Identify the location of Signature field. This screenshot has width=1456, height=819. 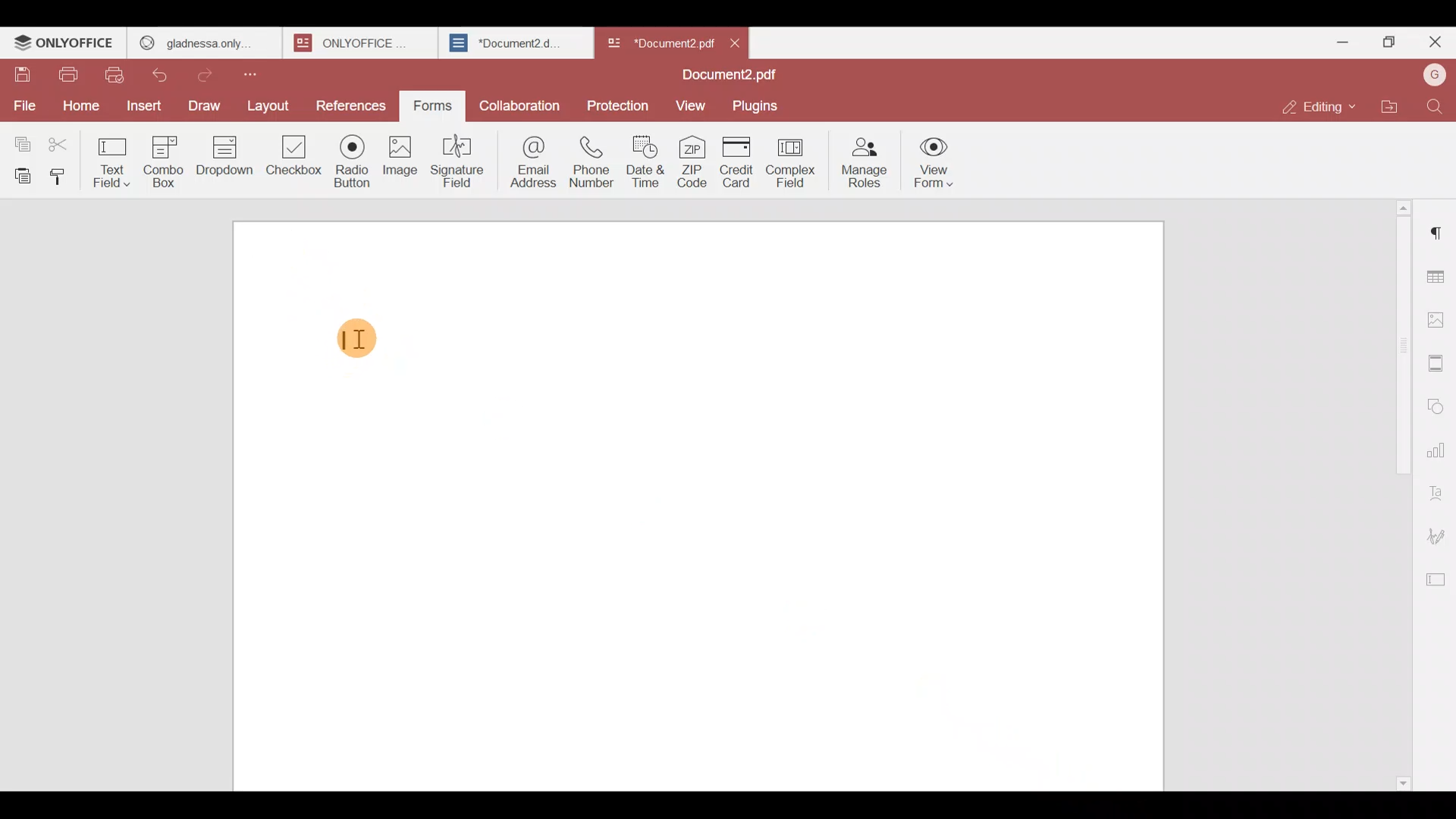
(461, 160).